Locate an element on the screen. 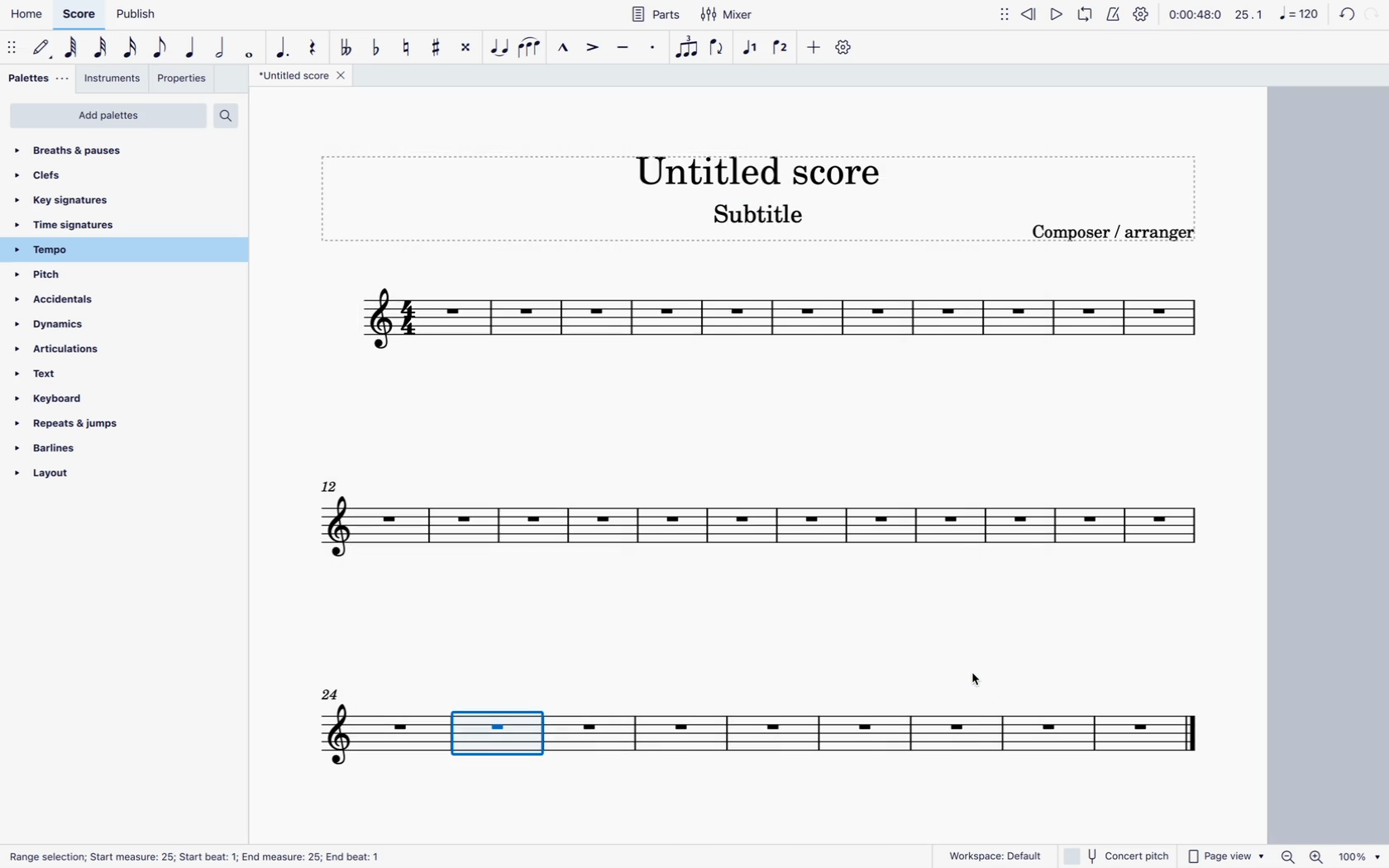 Image resolution: width=1389 pixels, height=868 pixels. score is located at coordinates (326, 727).